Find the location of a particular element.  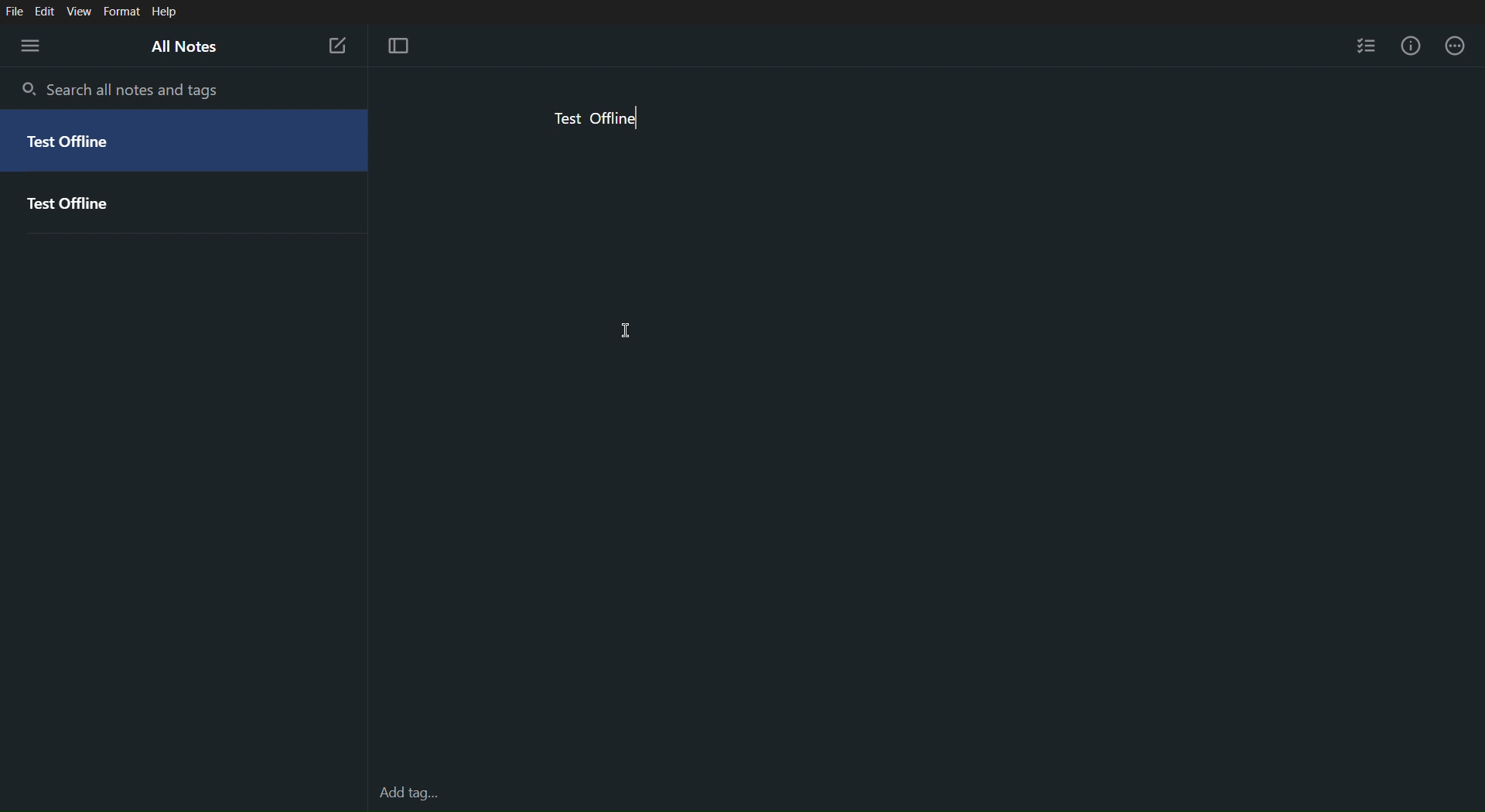

test offline is located at coordinates (186, 140).